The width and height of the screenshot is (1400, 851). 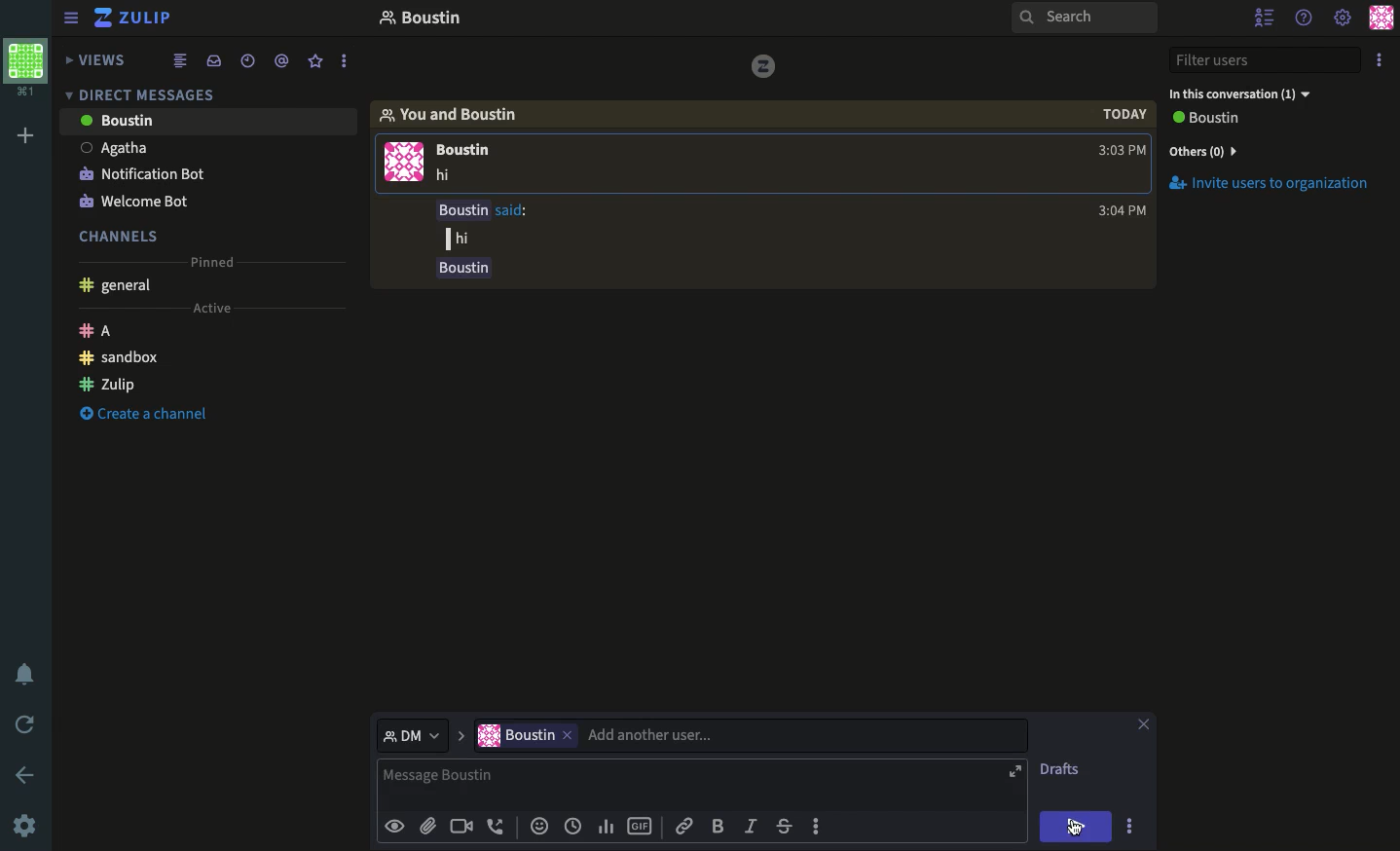 What do you see at coordinates (281, 61) in the screenshot?
I see `Tagged` at bounding box center [281, 61].